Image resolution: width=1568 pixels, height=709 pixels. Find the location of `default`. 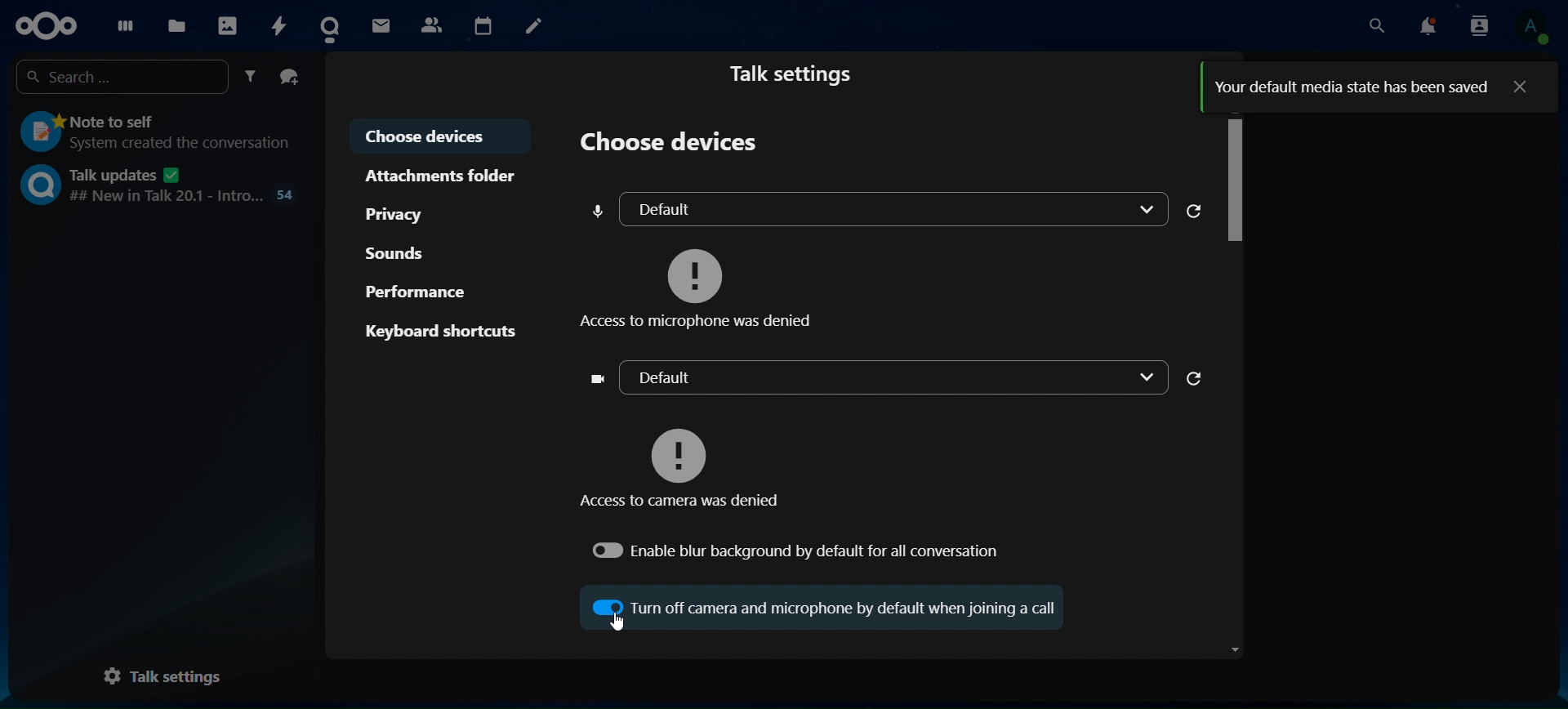

default is located at coordinates (881, 379).